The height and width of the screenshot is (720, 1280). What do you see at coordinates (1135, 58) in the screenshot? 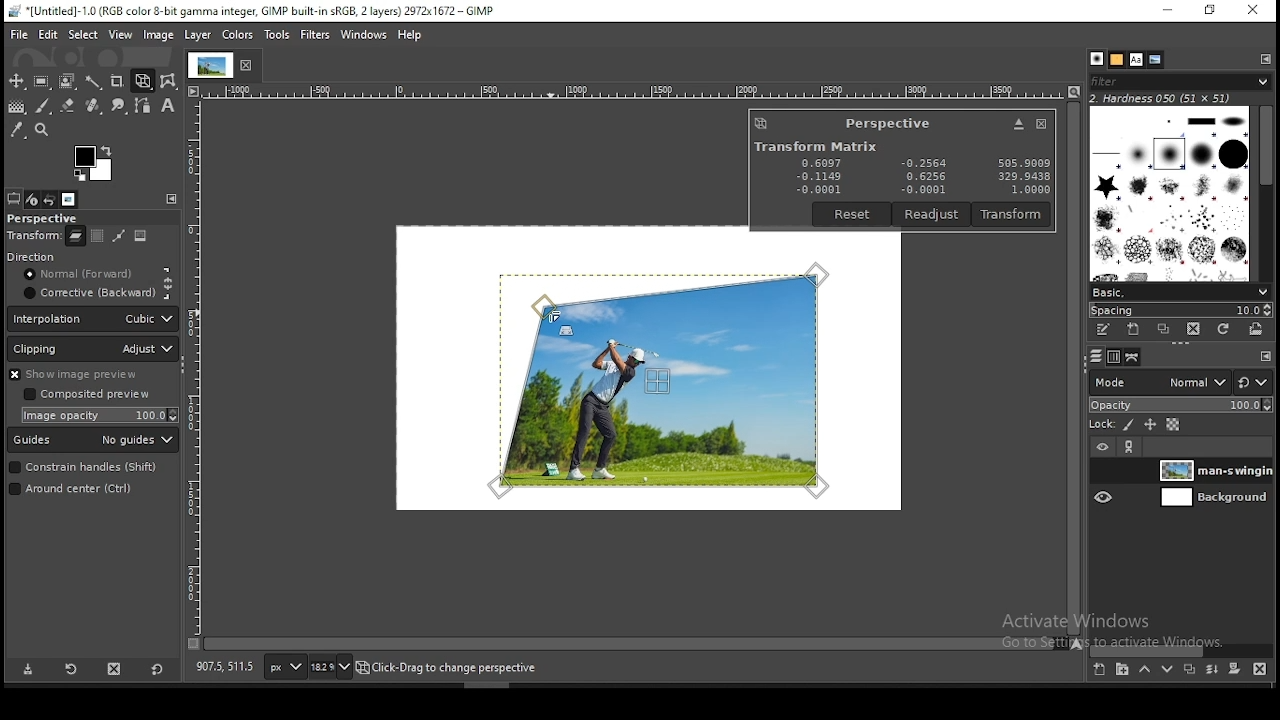
I see `fonts` at bounding box center [1135, 58].